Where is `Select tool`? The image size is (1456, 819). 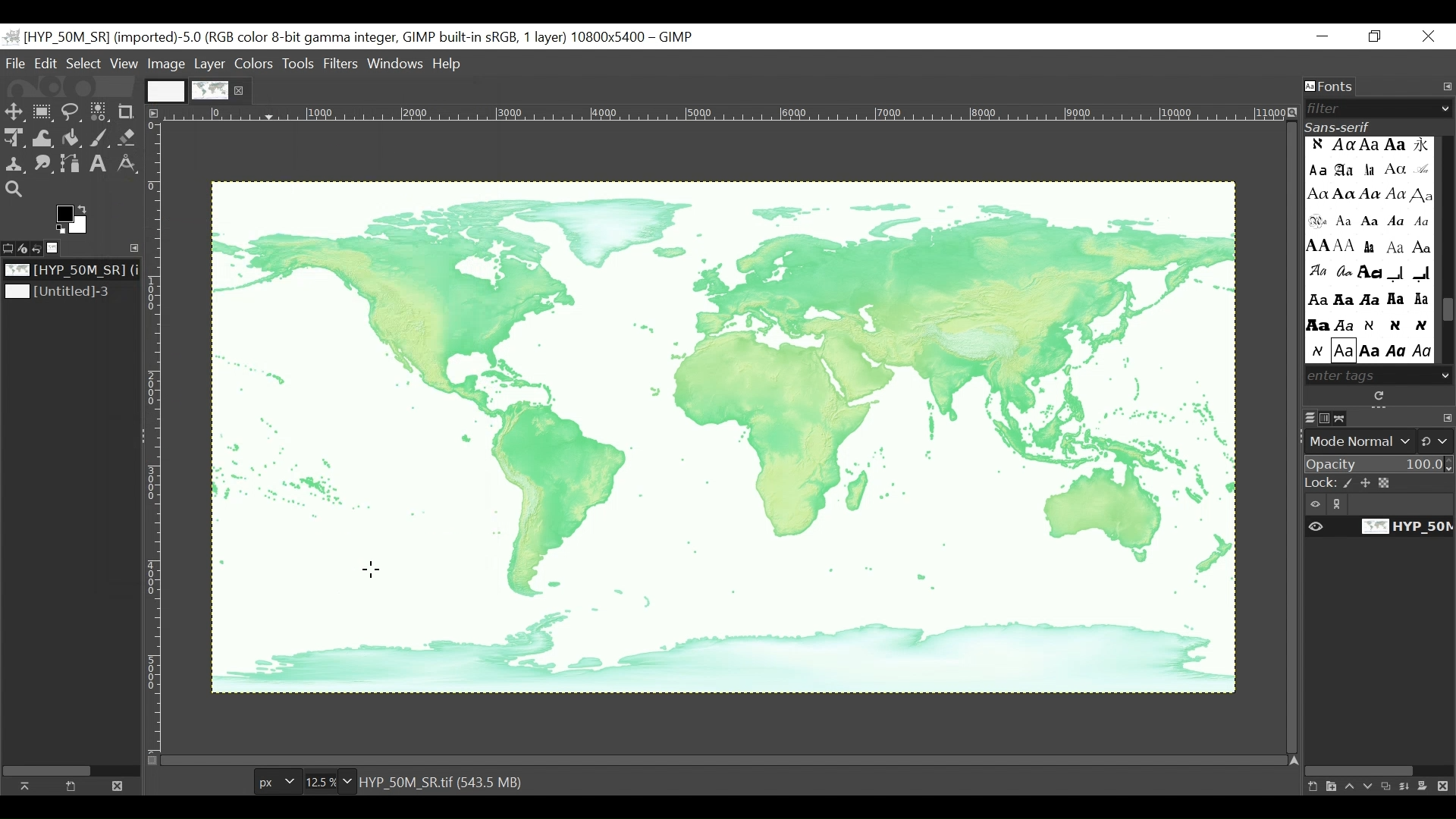 Select tool is located at coordinates (14, 113).